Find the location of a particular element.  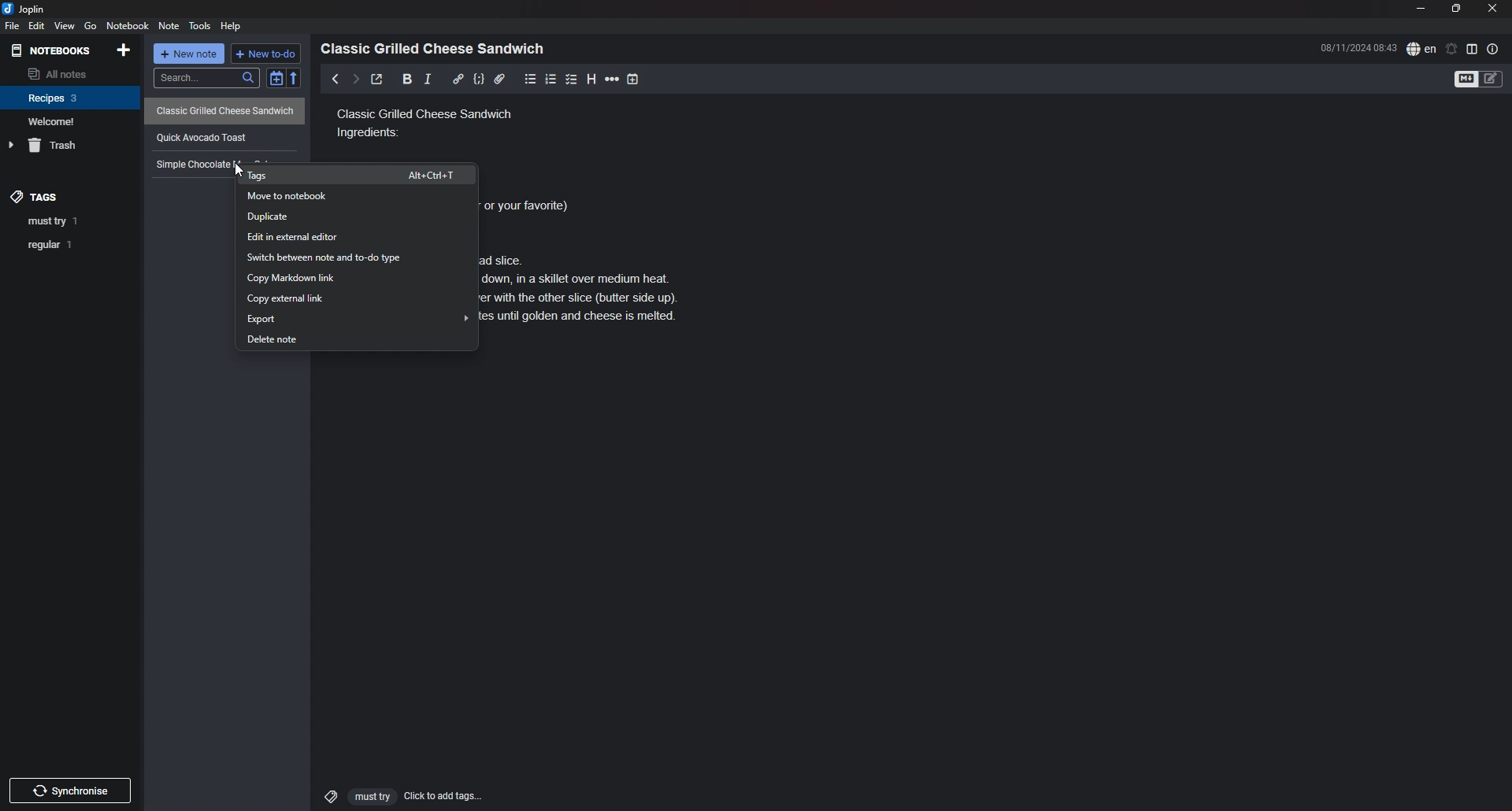

Edit in external editor is located at coordinates (357, 238).